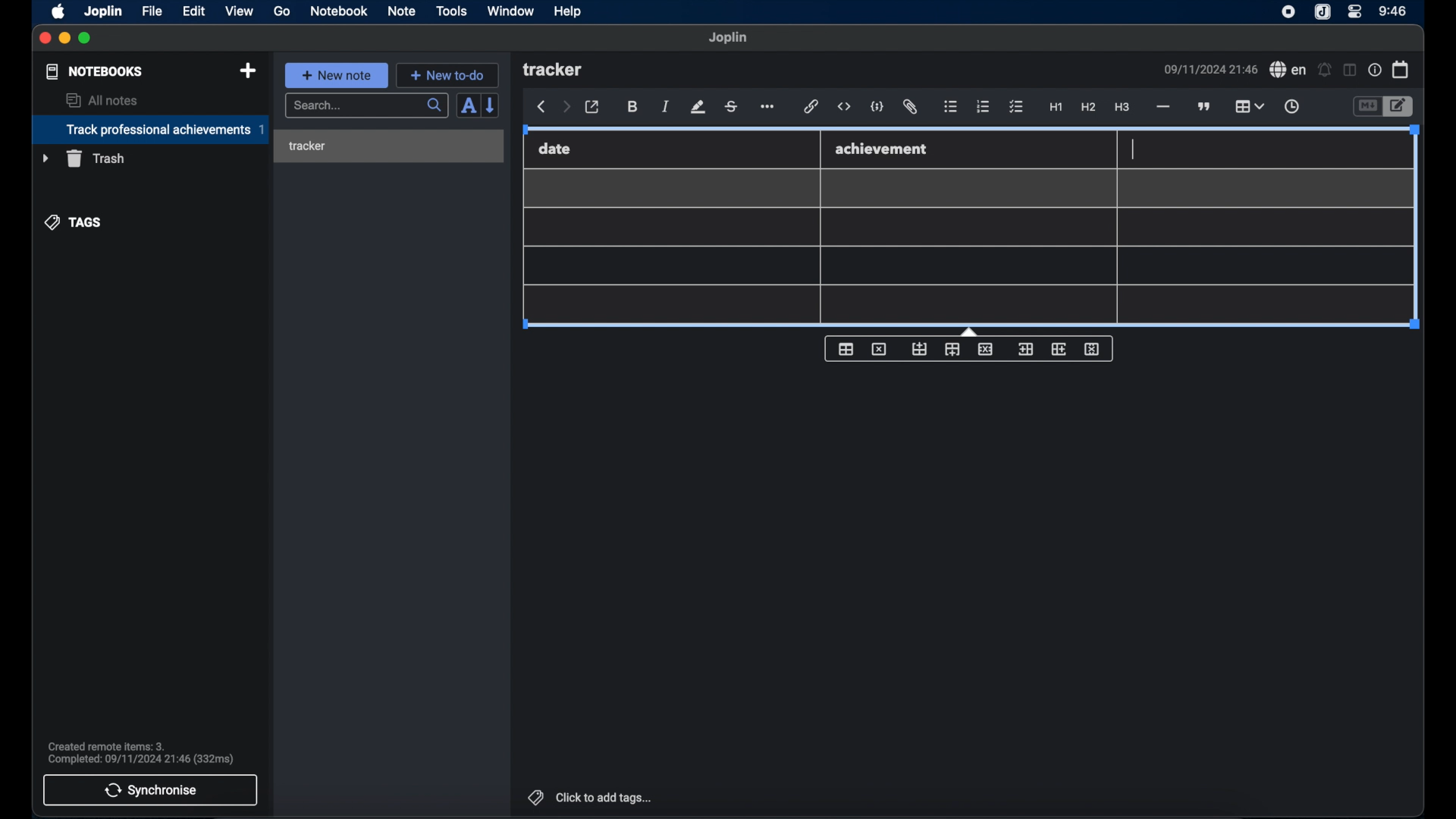 This screenshot has width=1456, height=819. Describe the element at coordinates (1163, 107) in the screenshot. I see `horizontal line` at that location.